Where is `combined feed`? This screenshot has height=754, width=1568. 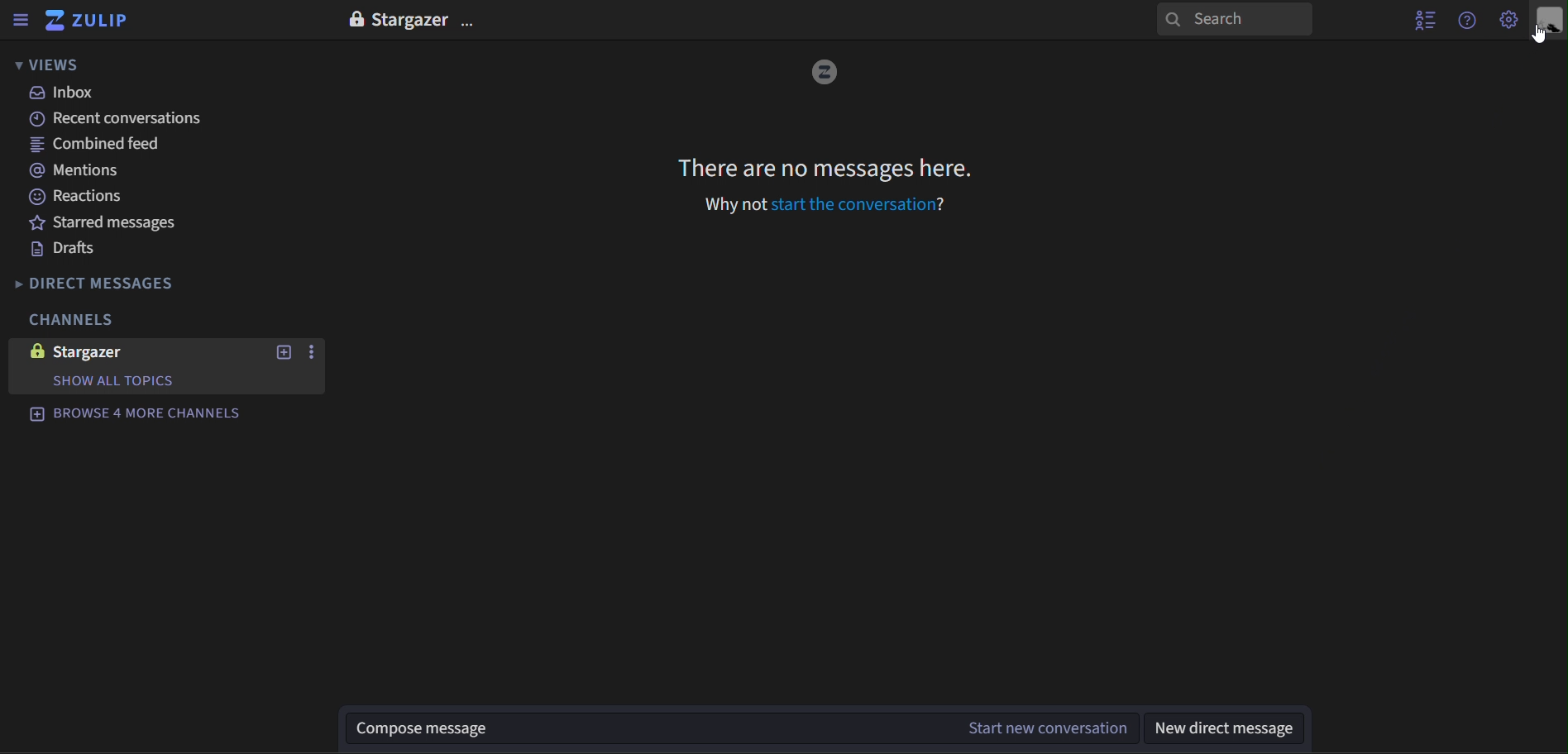 combined feed is located at coordinates (98, 146).